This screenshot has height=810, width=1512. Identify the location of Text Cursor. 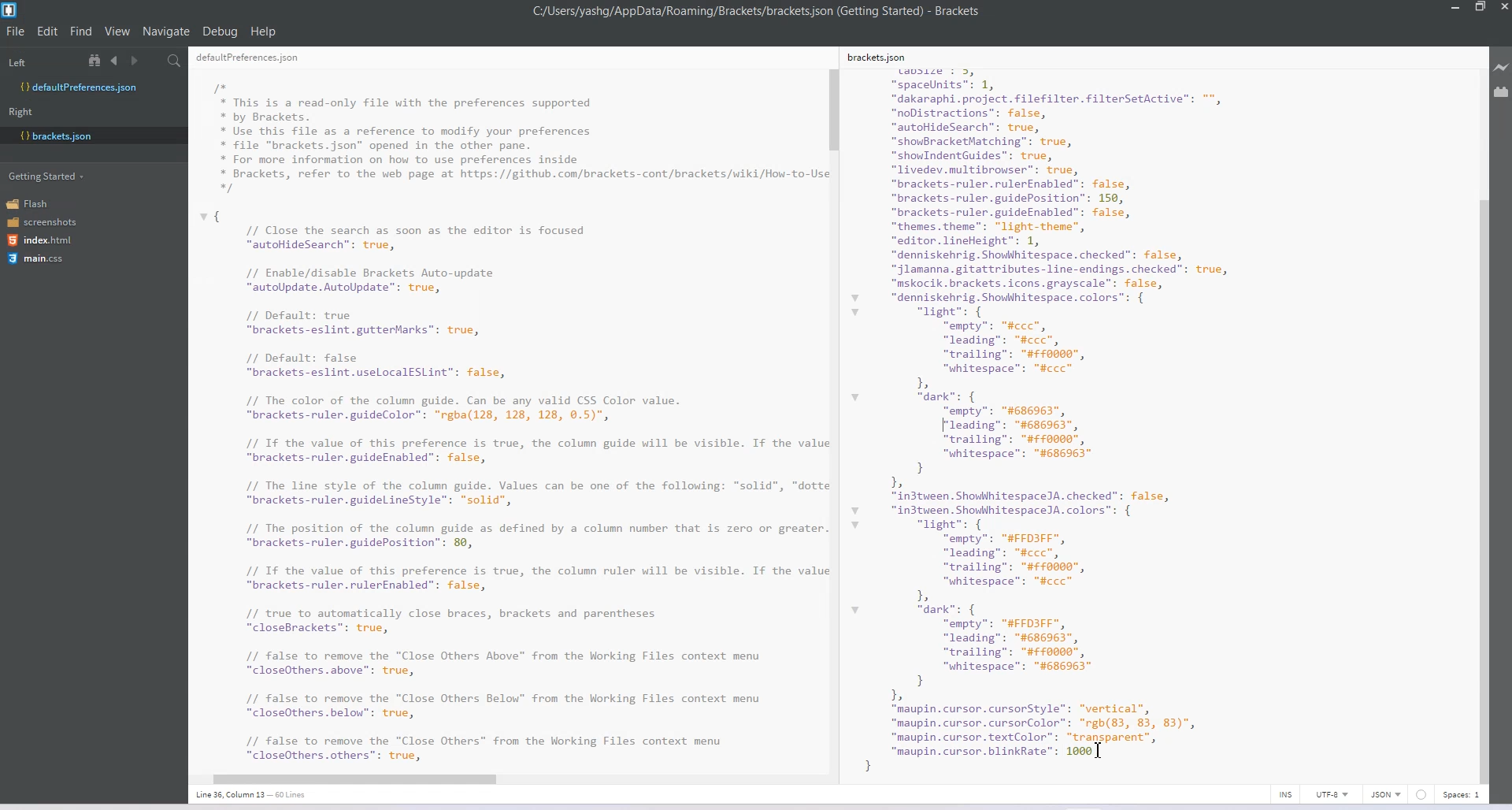
(1099, 750).